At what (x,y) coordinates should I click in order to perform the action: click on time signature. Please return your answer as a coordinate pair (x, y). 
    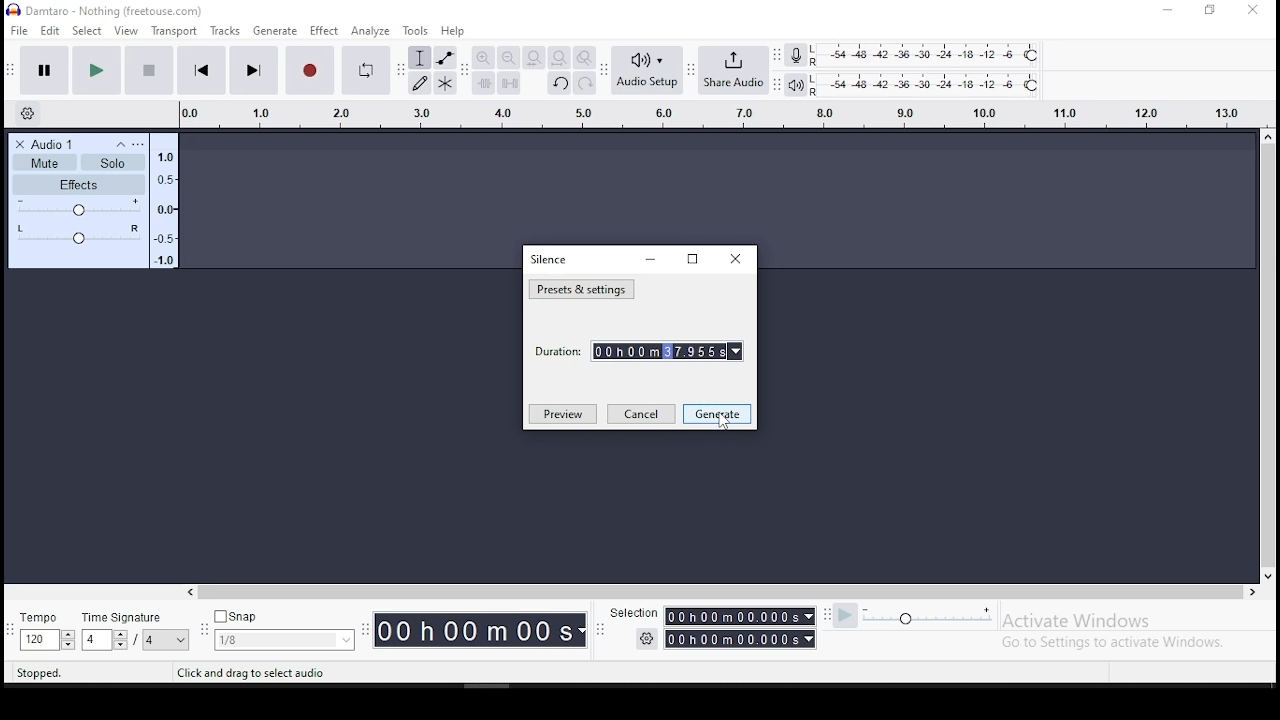
    Looking at the image, I should click on (134, 630).